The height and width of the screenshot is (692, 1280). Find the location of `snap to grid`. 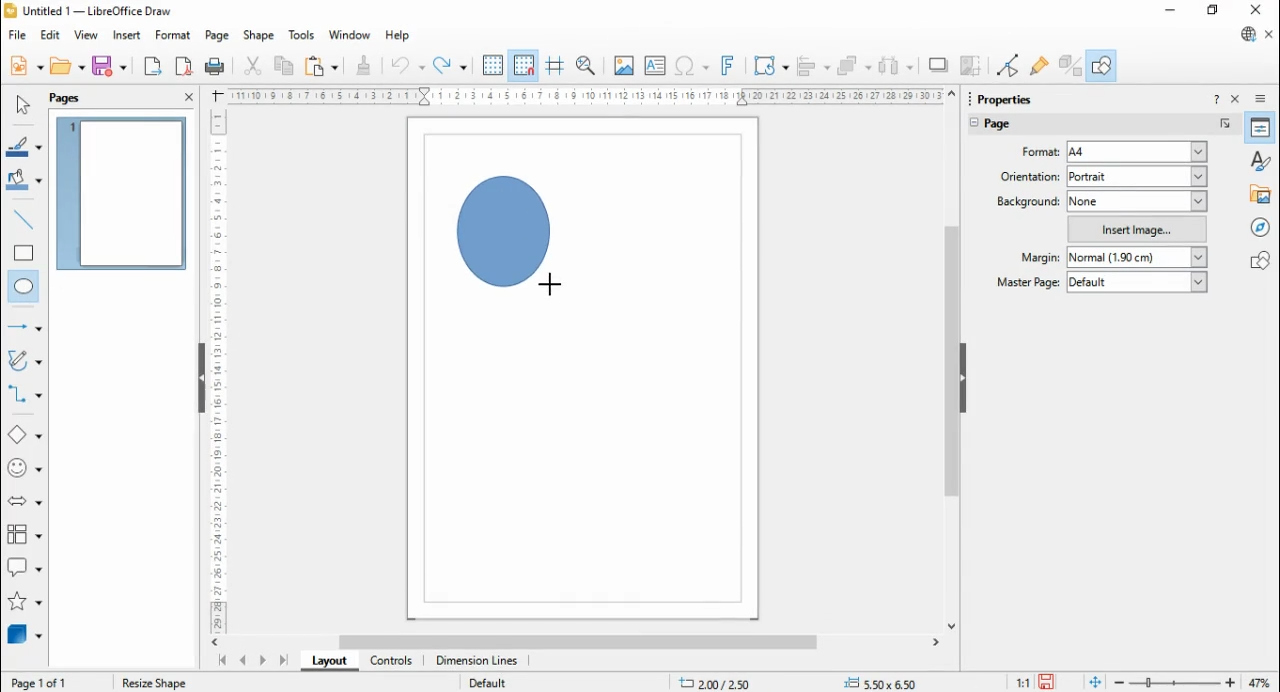

snap to grid is located at coordinates (525, 65).